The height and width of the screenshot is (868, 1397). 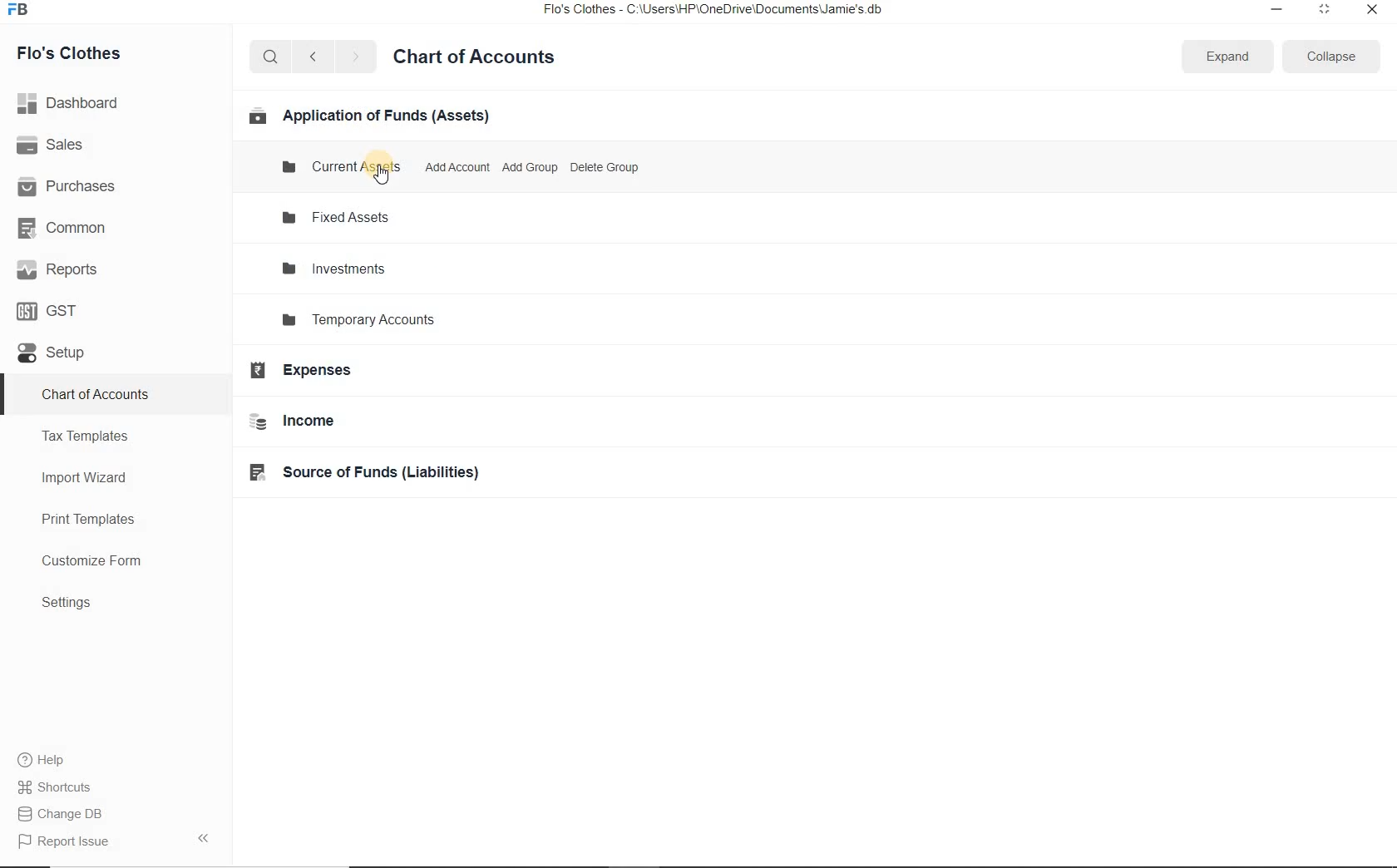 I want to click on Chart of Accounts, so click(x=483, y=55).